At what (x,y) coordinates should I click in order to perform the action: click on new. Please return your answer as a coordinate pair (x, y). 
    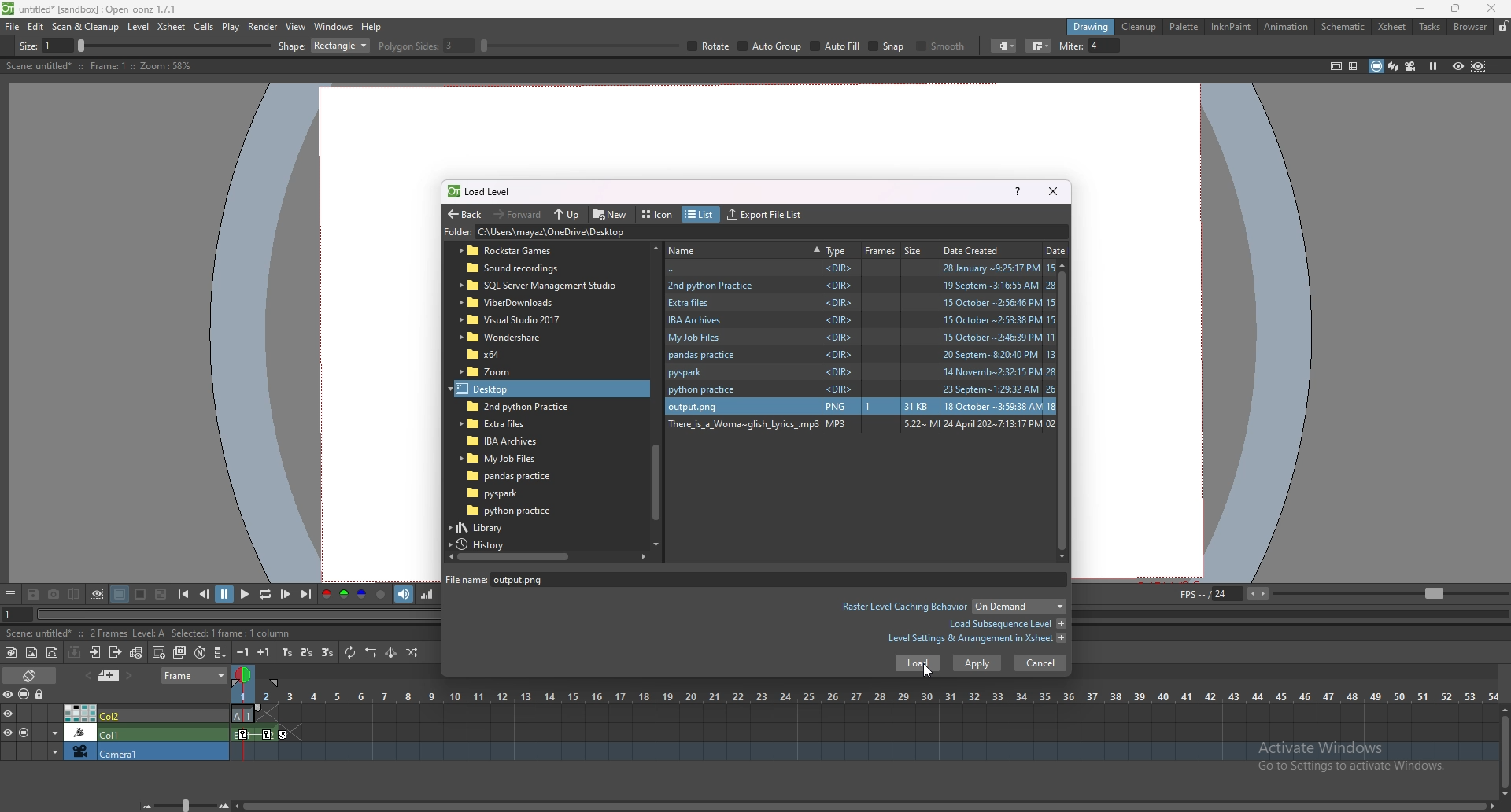
    Looking at the image, I should click on (611, 213).